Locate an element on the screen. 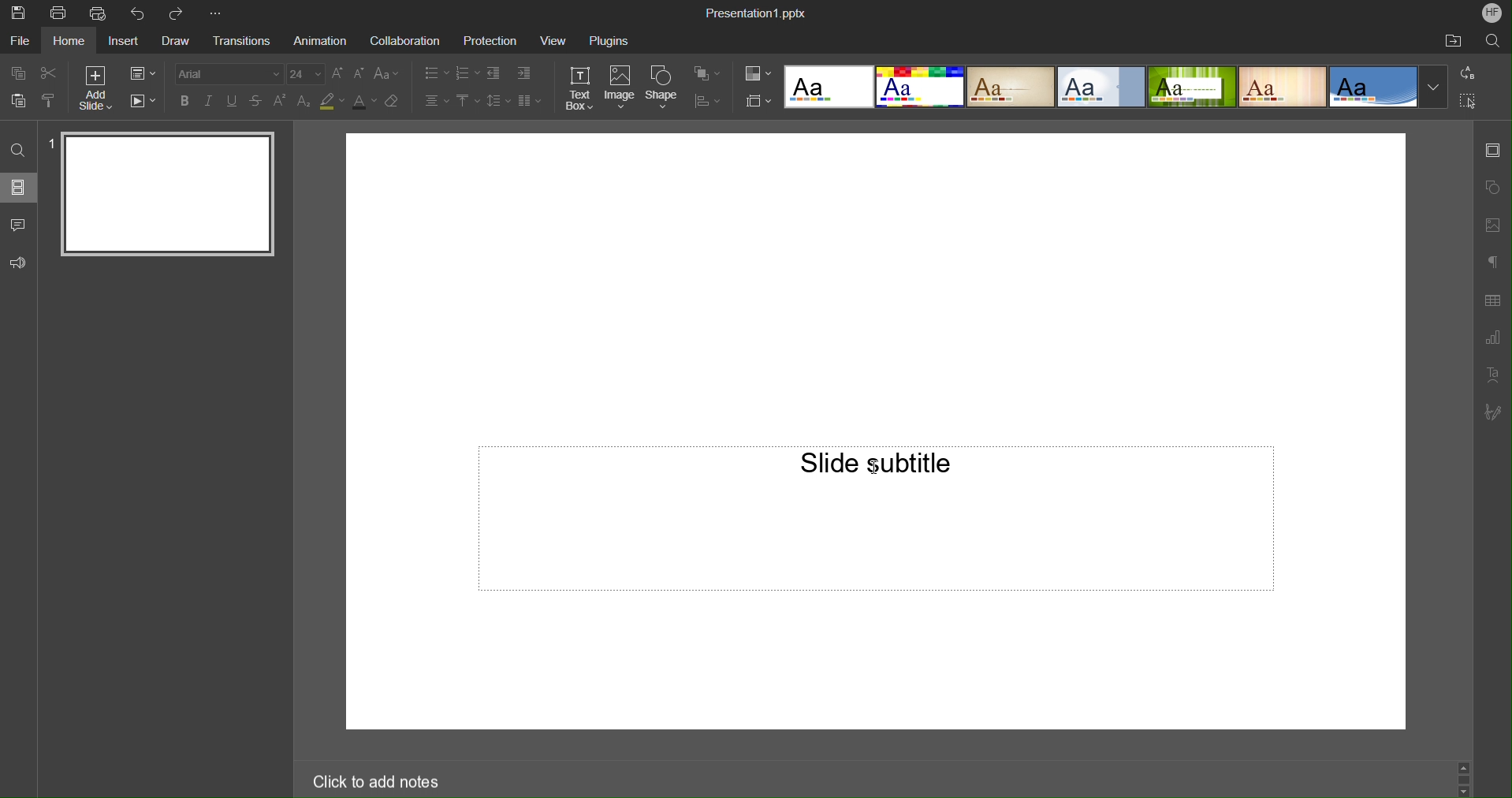  scroll up is located at coordinates (1463, 766).